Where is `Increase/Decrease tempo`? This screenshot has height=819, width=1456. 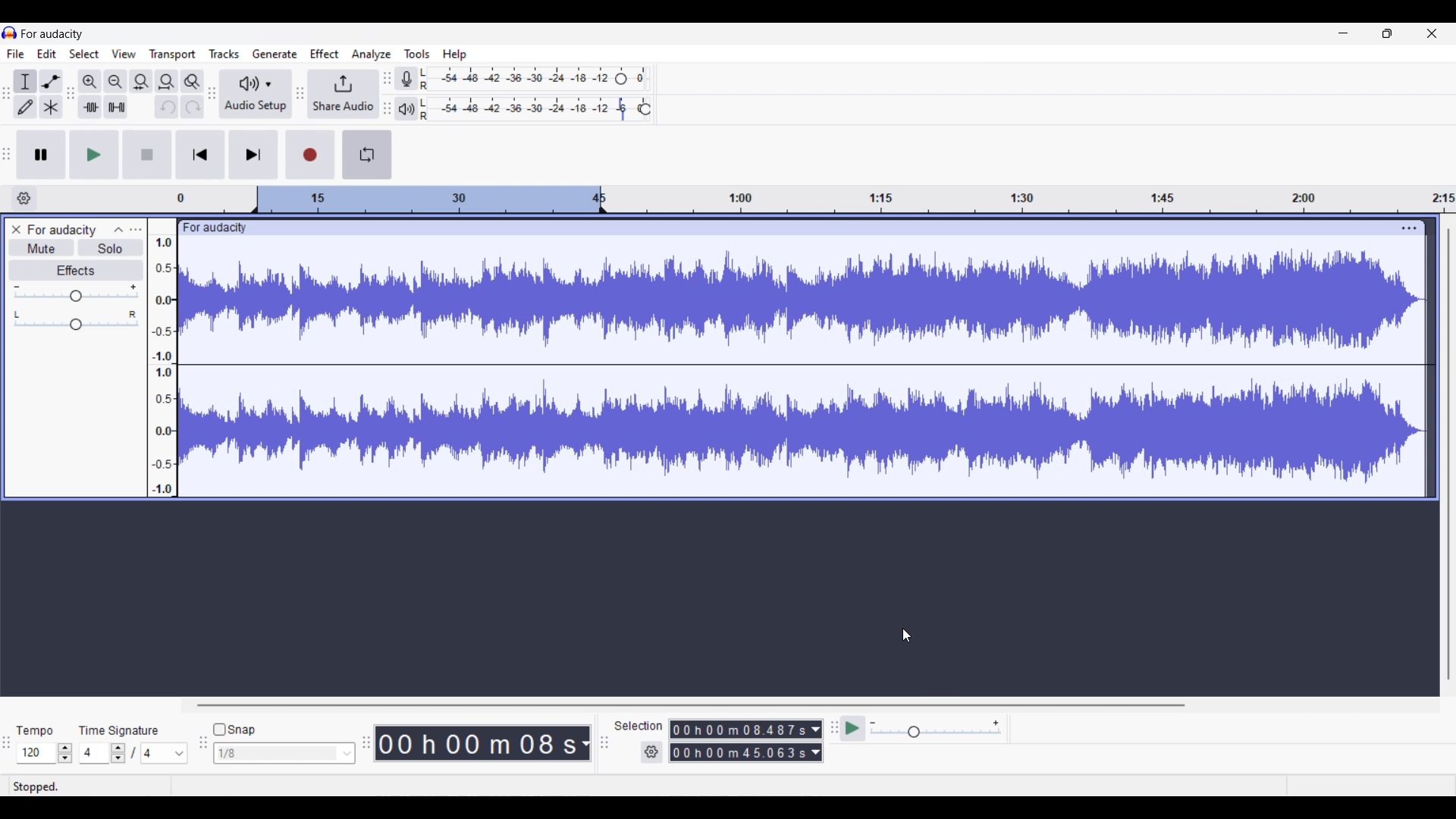
Increase/Decrease tempo is located at coordinates (65, 753).